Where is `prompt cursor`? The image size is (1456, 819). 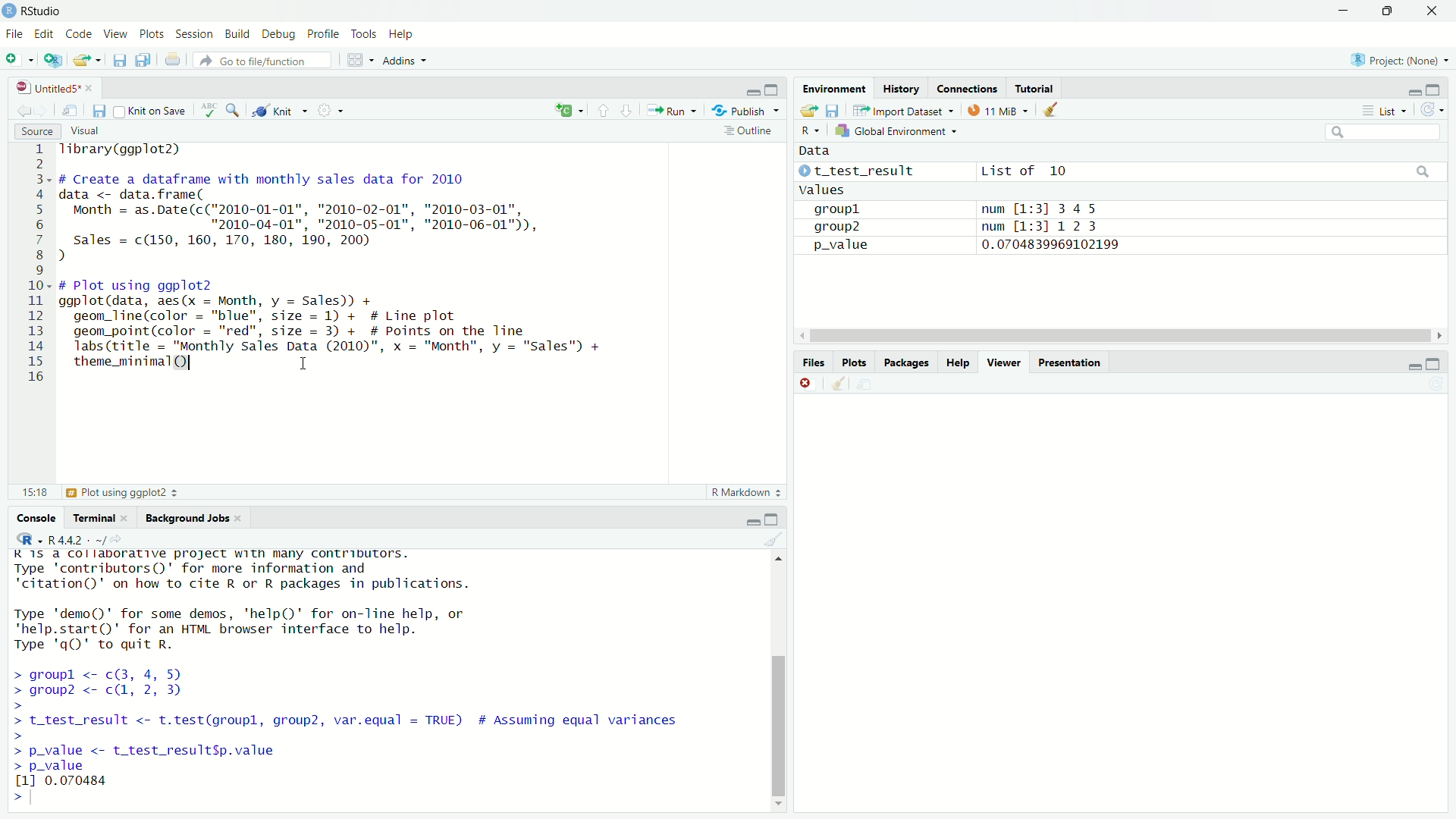 prompt cursor is located at coordinates (26, 797).